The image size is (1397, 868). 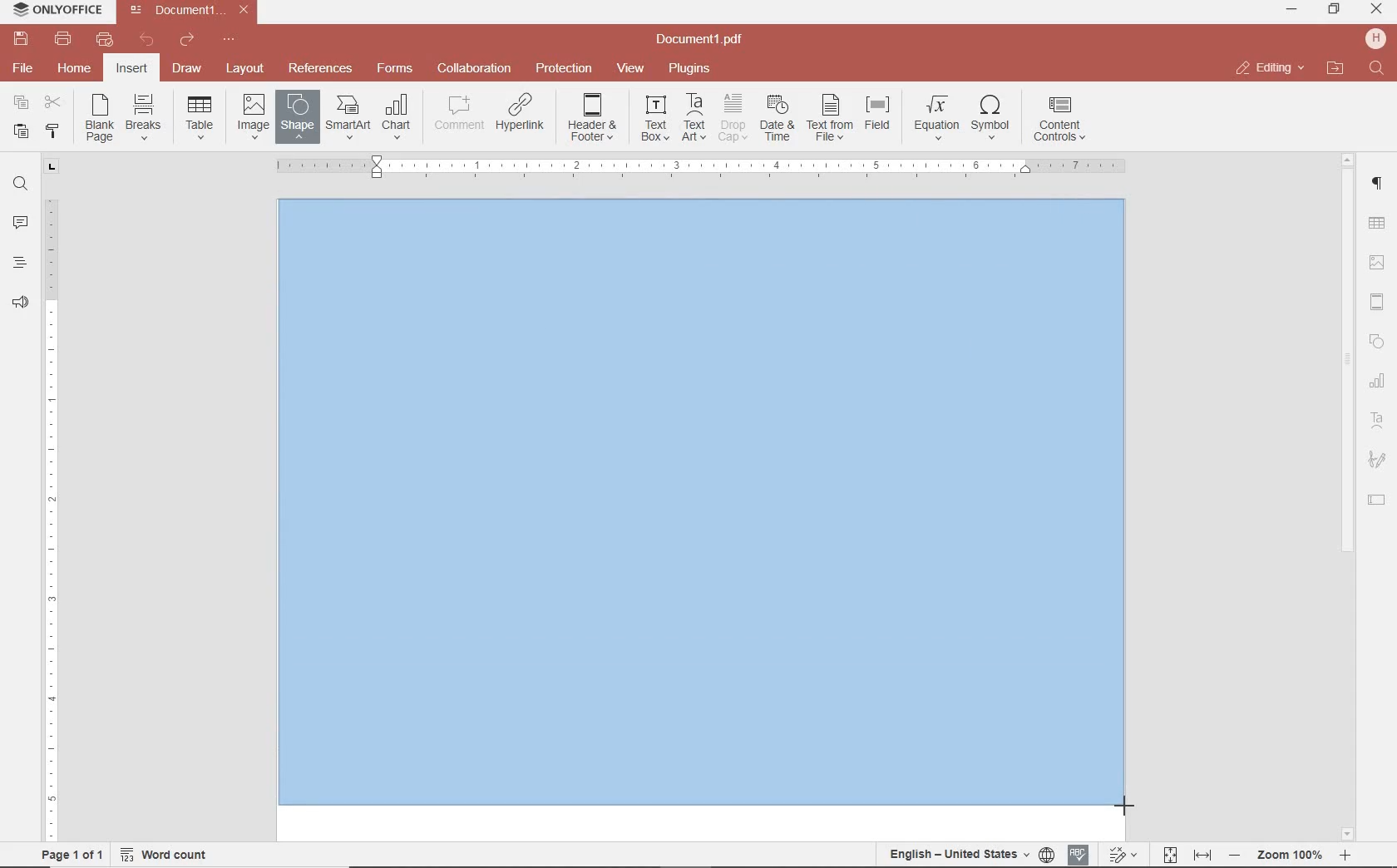 I want to click on protection, so click(x=565, y=69).